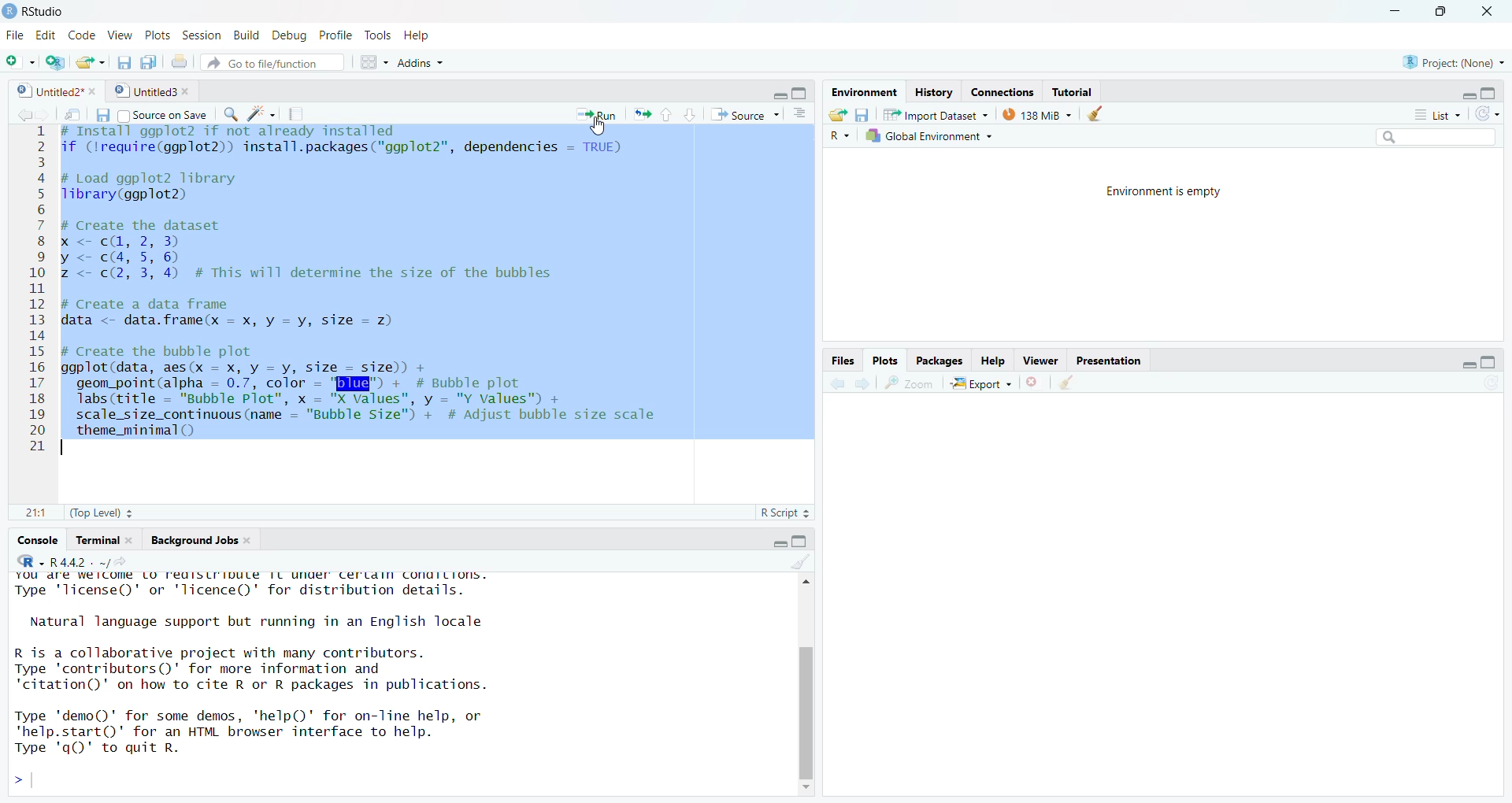 Image resolution: width=1512 pixels, height=803 pixels. I want to click on New file, so click(92, 60).